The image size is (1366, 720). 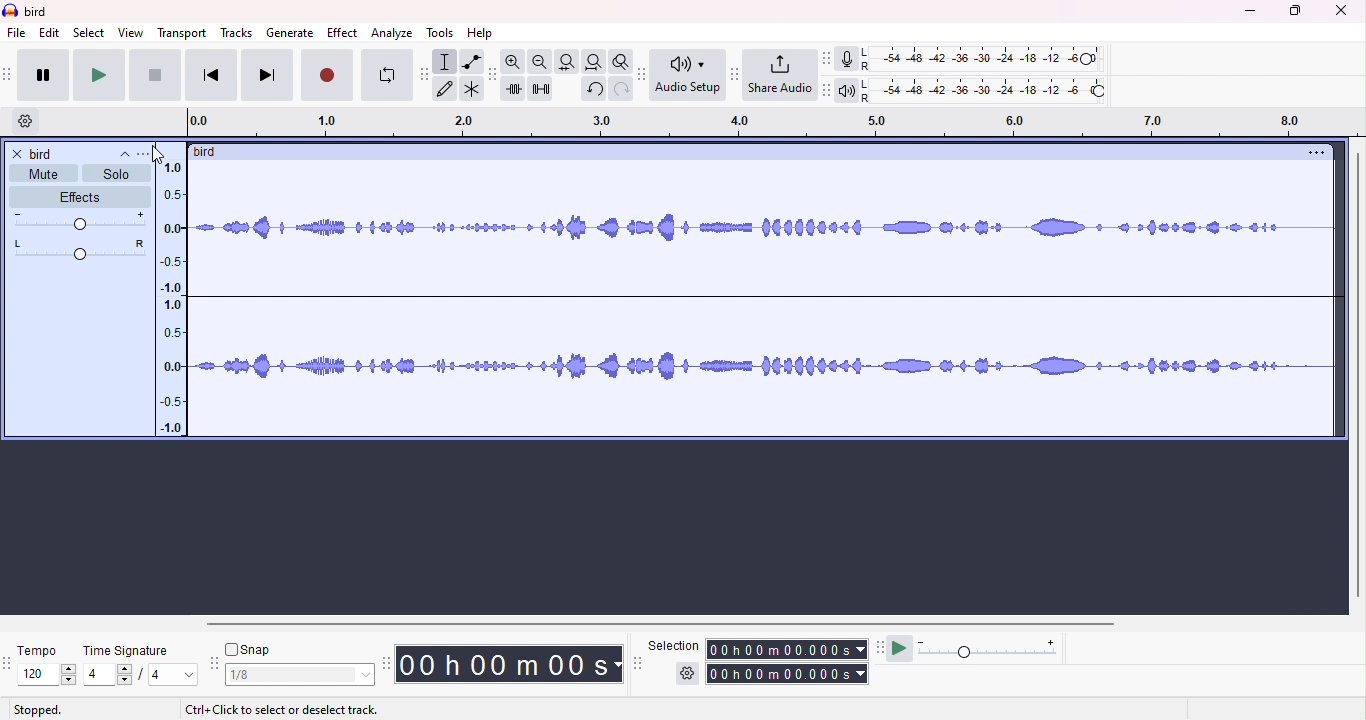 I want to click on transport, so click(x=182, y=33).